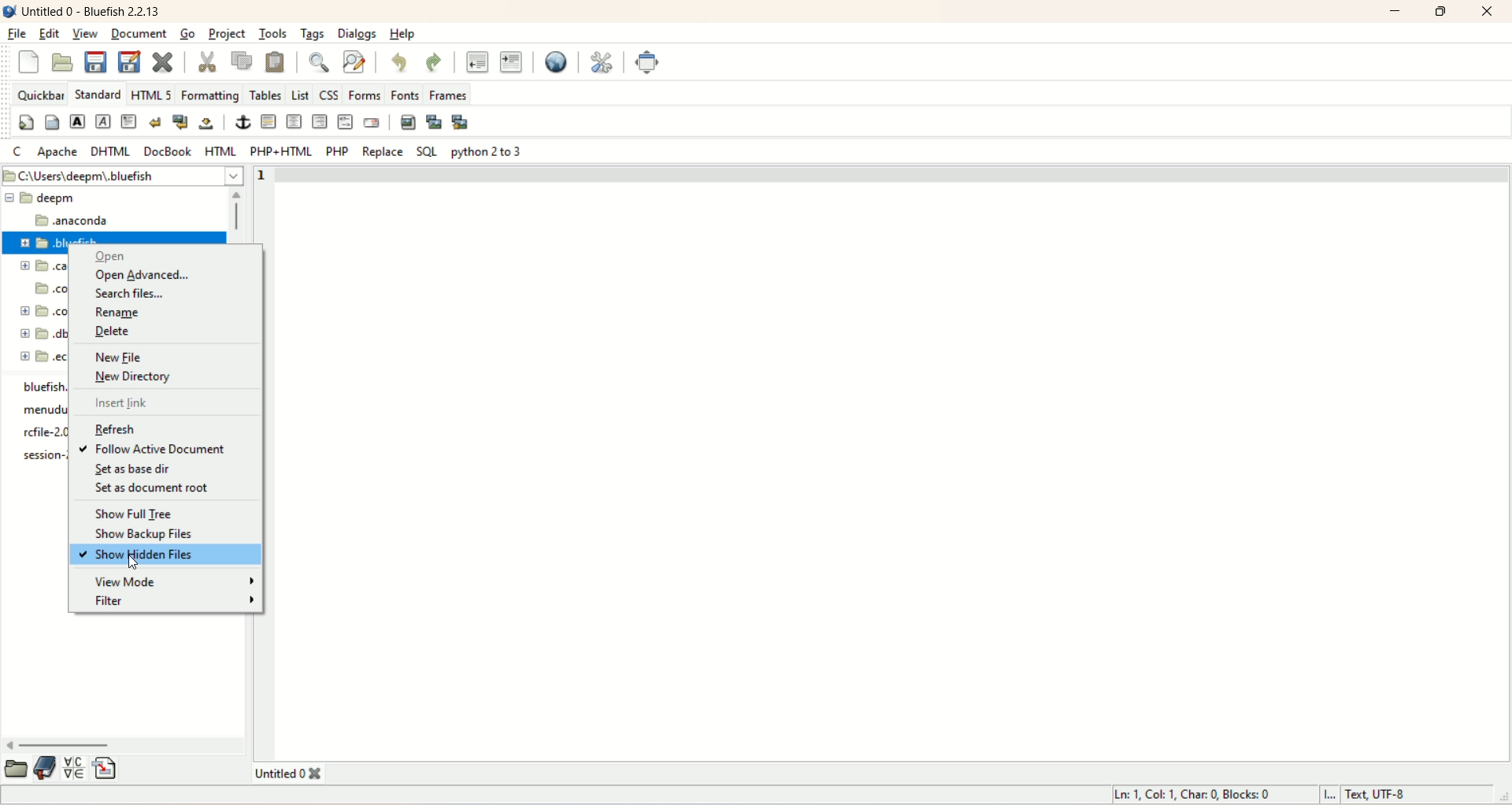  Describe the element at coordinates (120, 356) in the screenshot. I see `new file` at that location.